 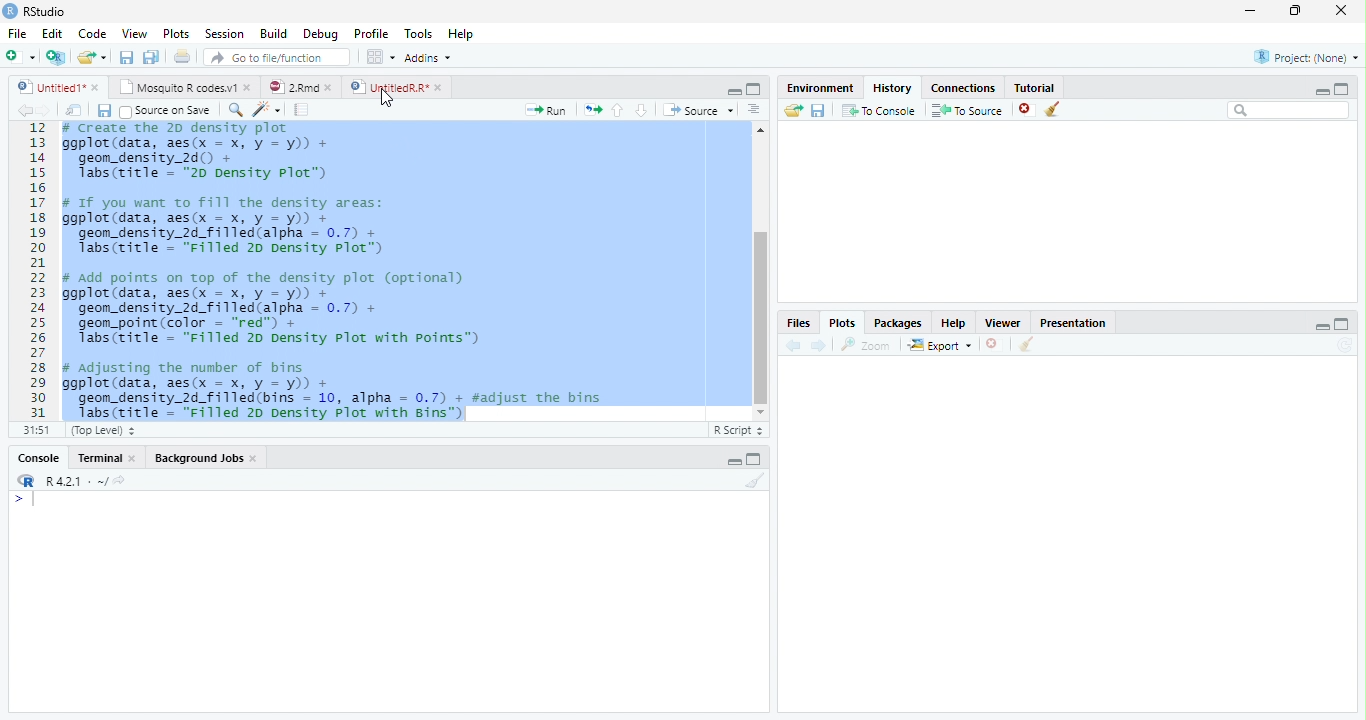 What do you see at coordinates (761, 317) in the screenshot?
I see `vertical Scrollbar` at bounding box center [761, 317].